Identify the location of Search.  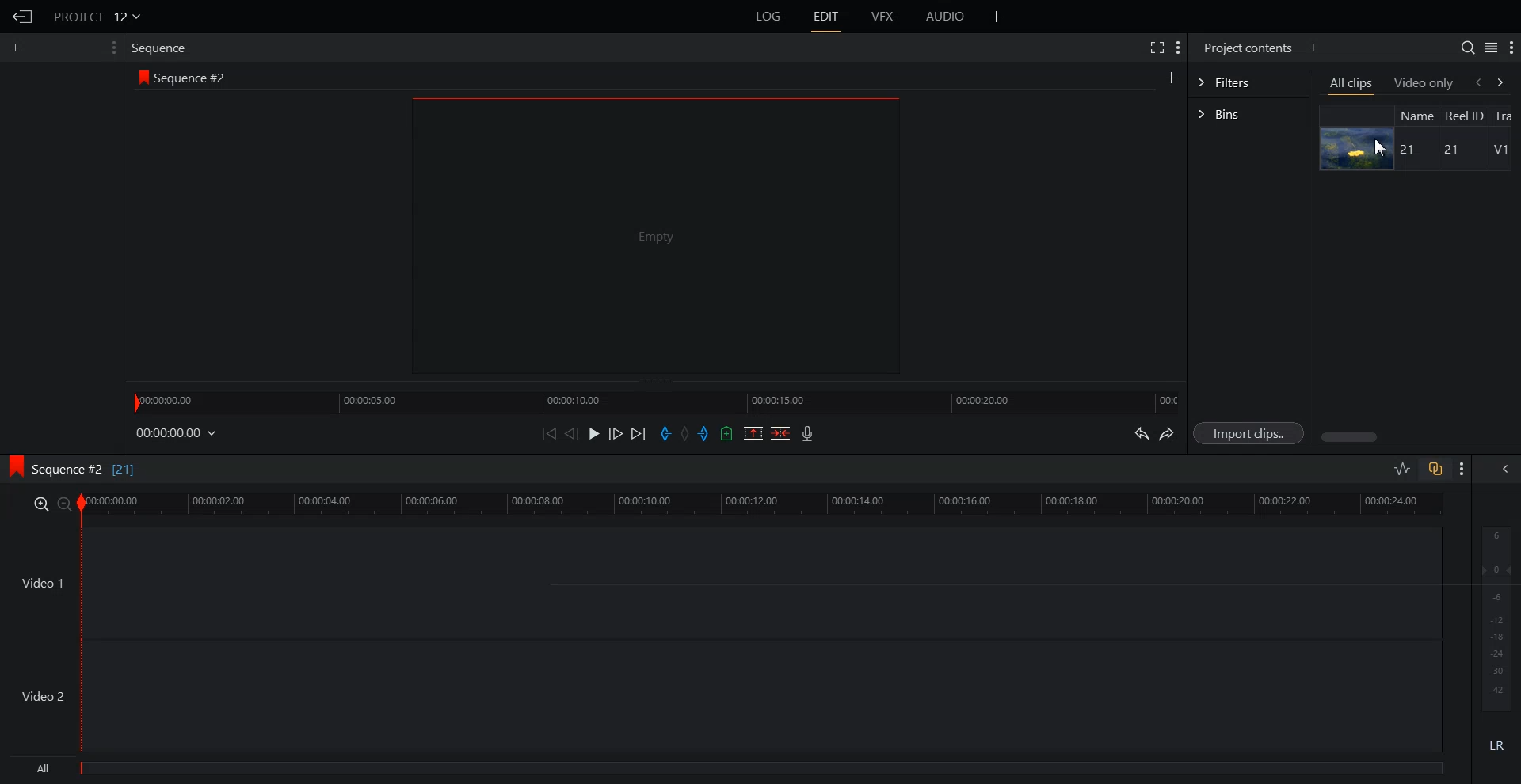
(1468, 48).